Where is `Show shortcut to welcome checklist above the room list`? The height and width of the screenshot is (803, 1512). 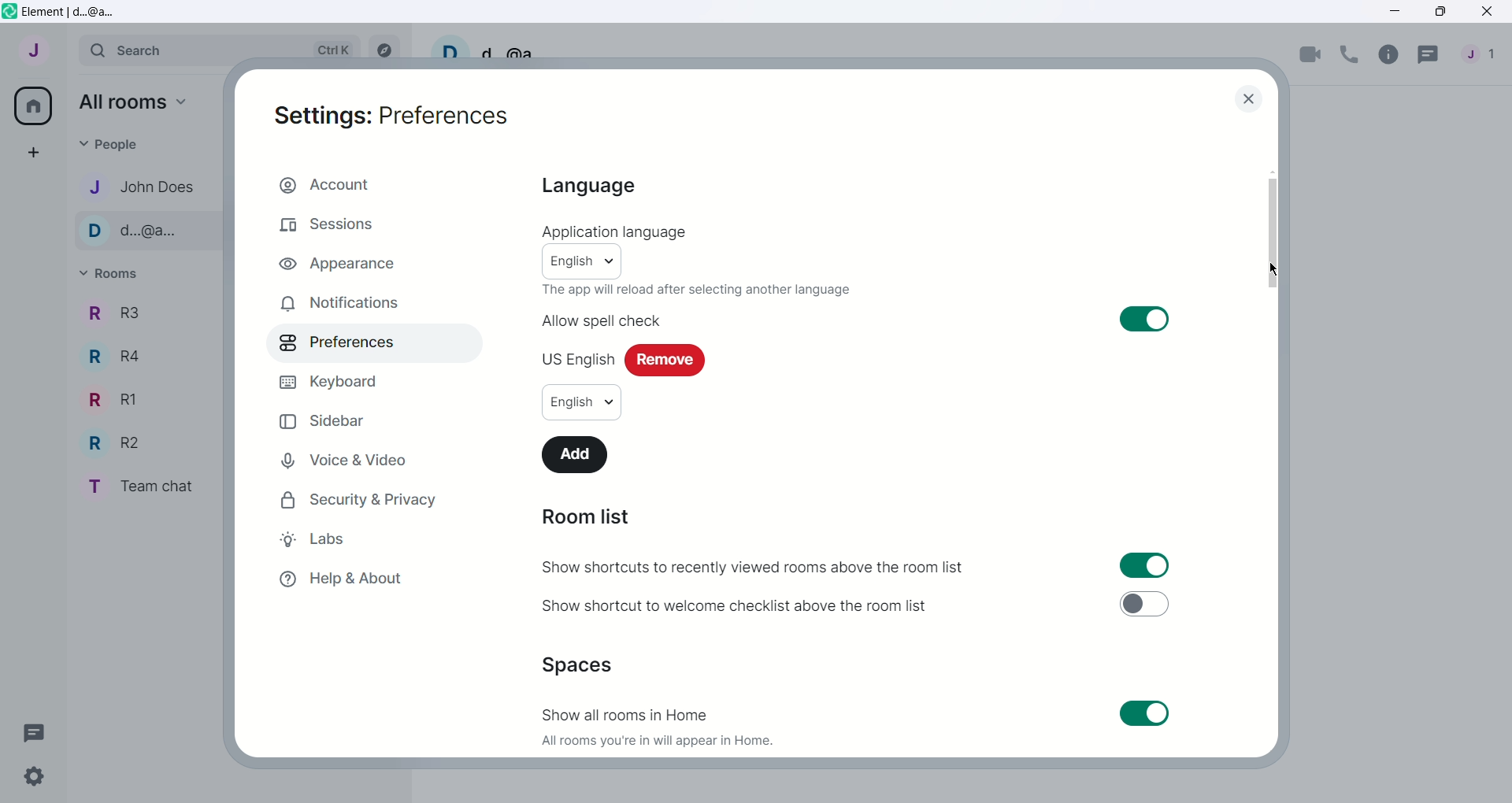 Show shortcut to welcome checklist above the room list is located at coordinates (734, 606).